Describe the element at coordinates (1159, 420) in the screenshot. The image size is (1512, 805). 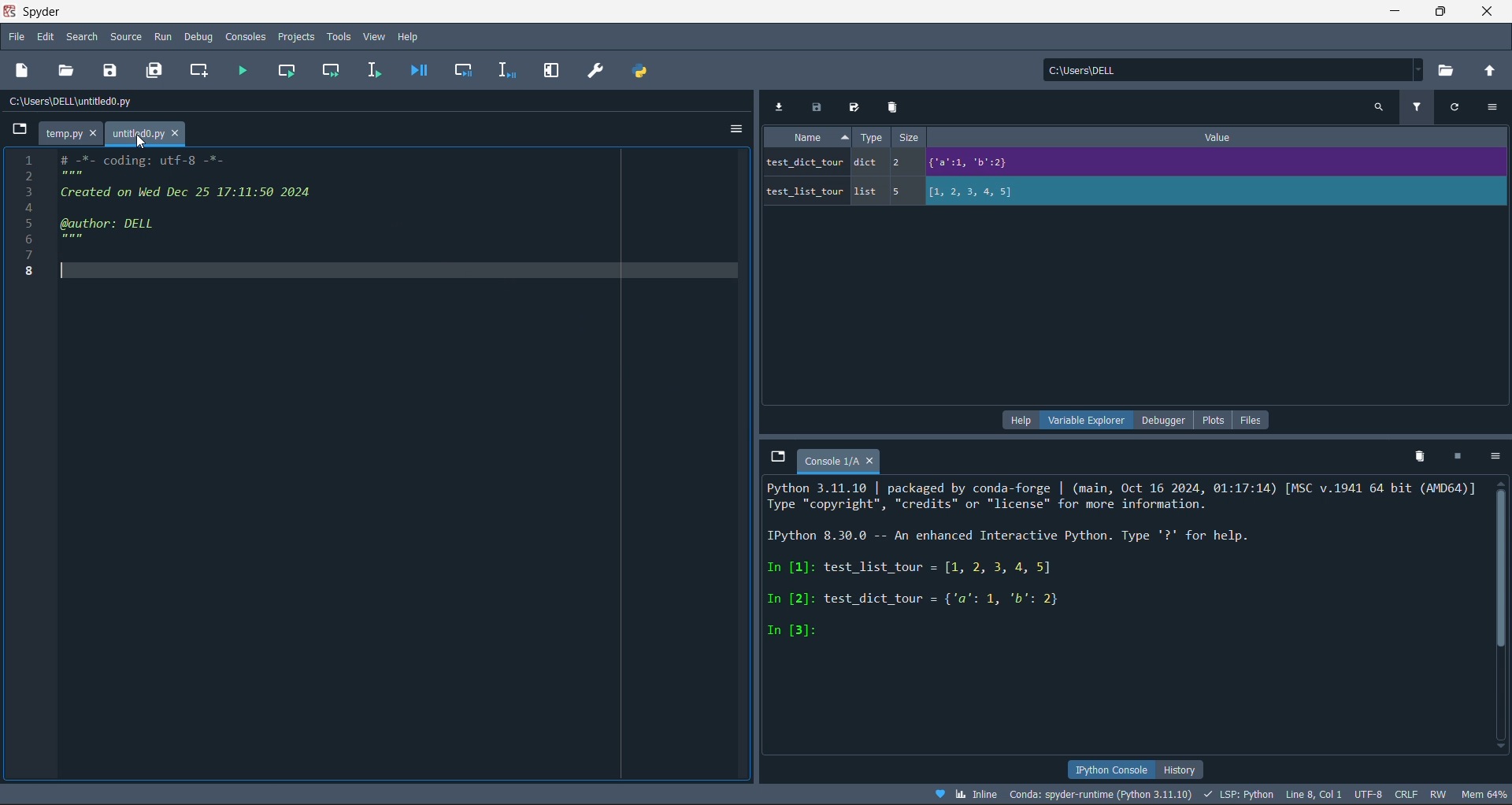
I see `debugger pane button` at that location.